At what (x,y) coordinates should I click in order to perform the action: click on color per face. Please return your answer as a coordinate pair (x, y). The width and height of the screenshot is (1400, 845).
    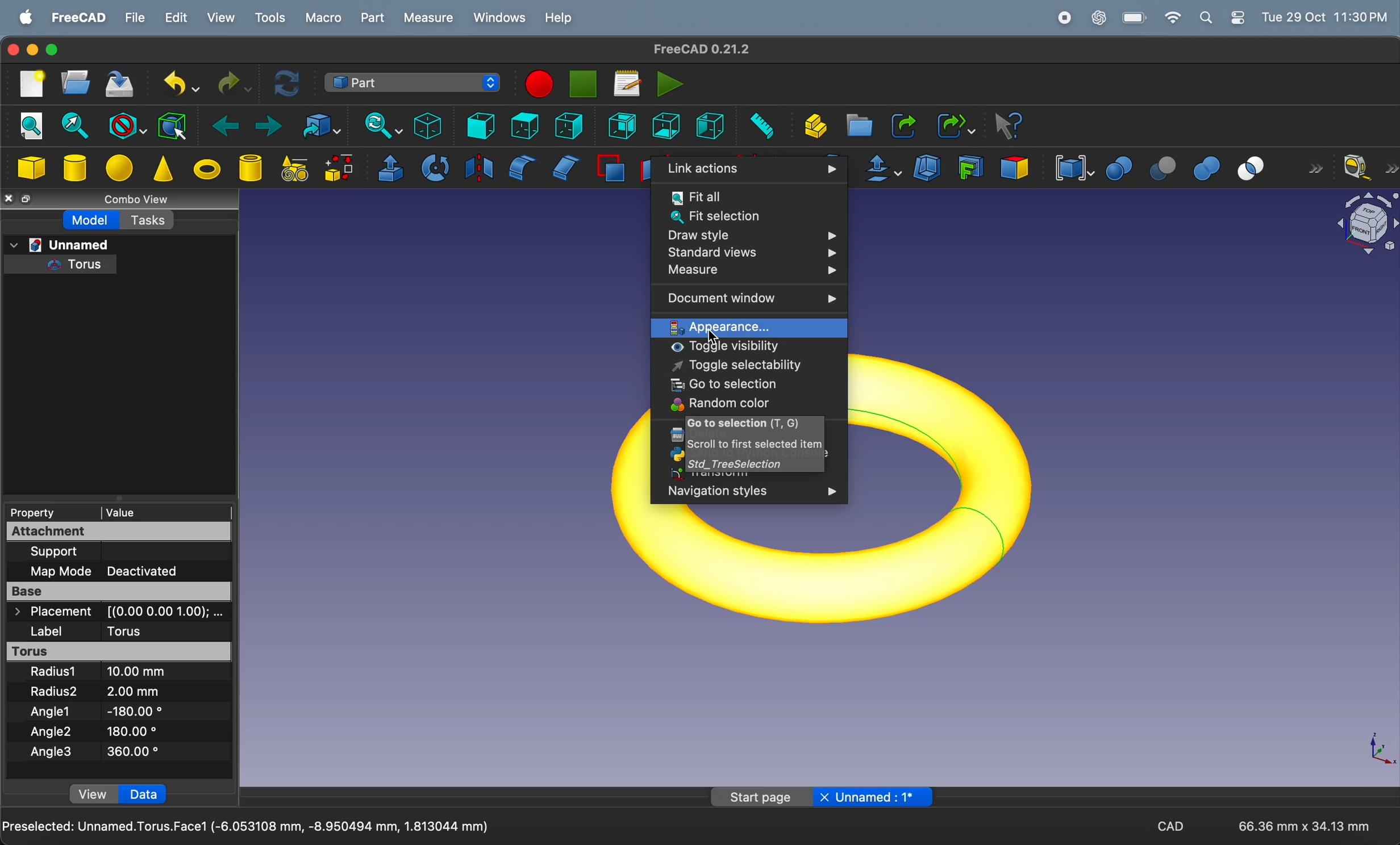
    Looking at the image, I should click on (1014, 167).